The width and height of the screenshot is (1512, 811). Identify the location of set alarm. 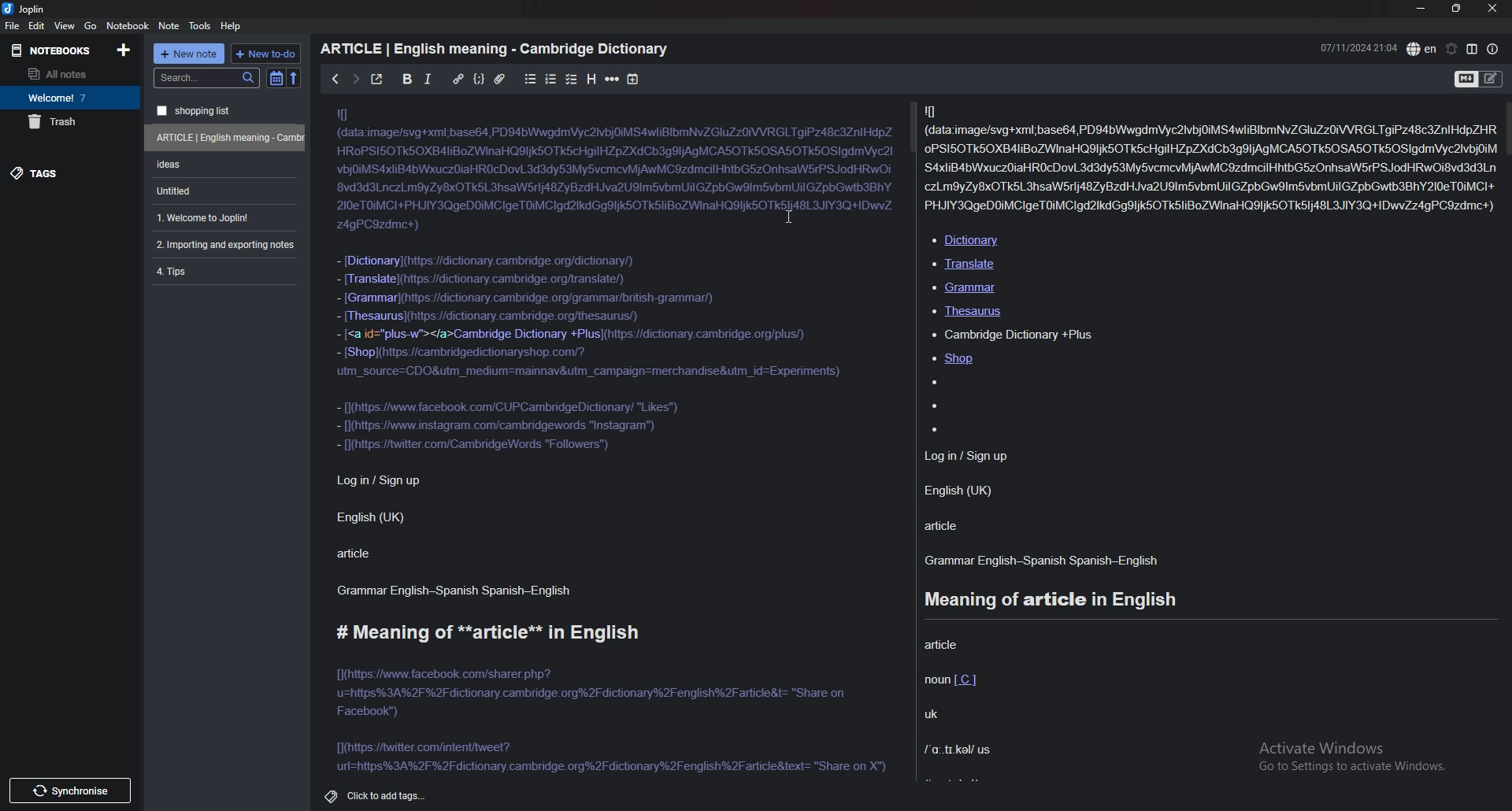
(1451, 49).